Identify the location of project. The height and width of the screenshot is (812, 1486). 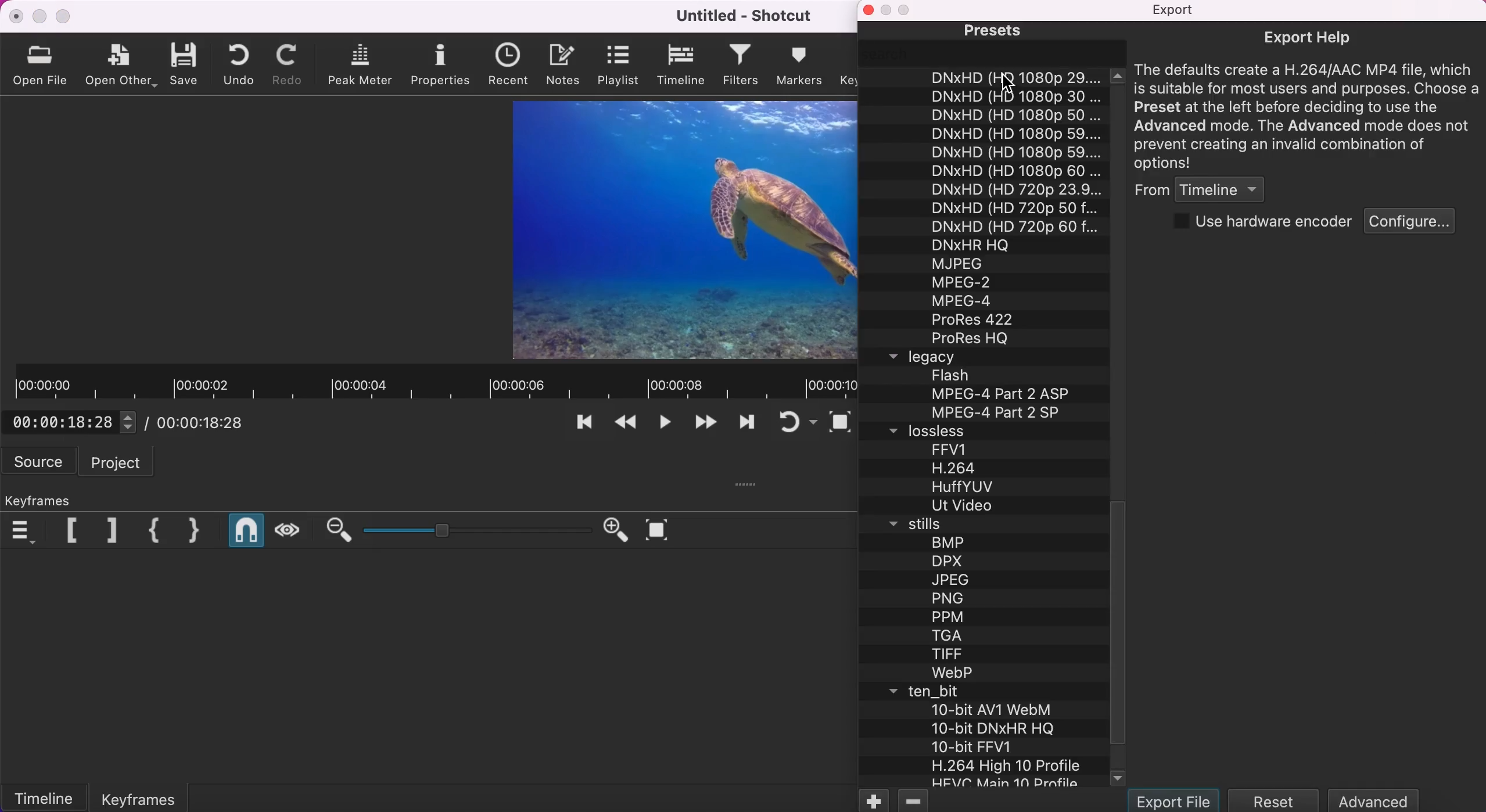
(121, 462).